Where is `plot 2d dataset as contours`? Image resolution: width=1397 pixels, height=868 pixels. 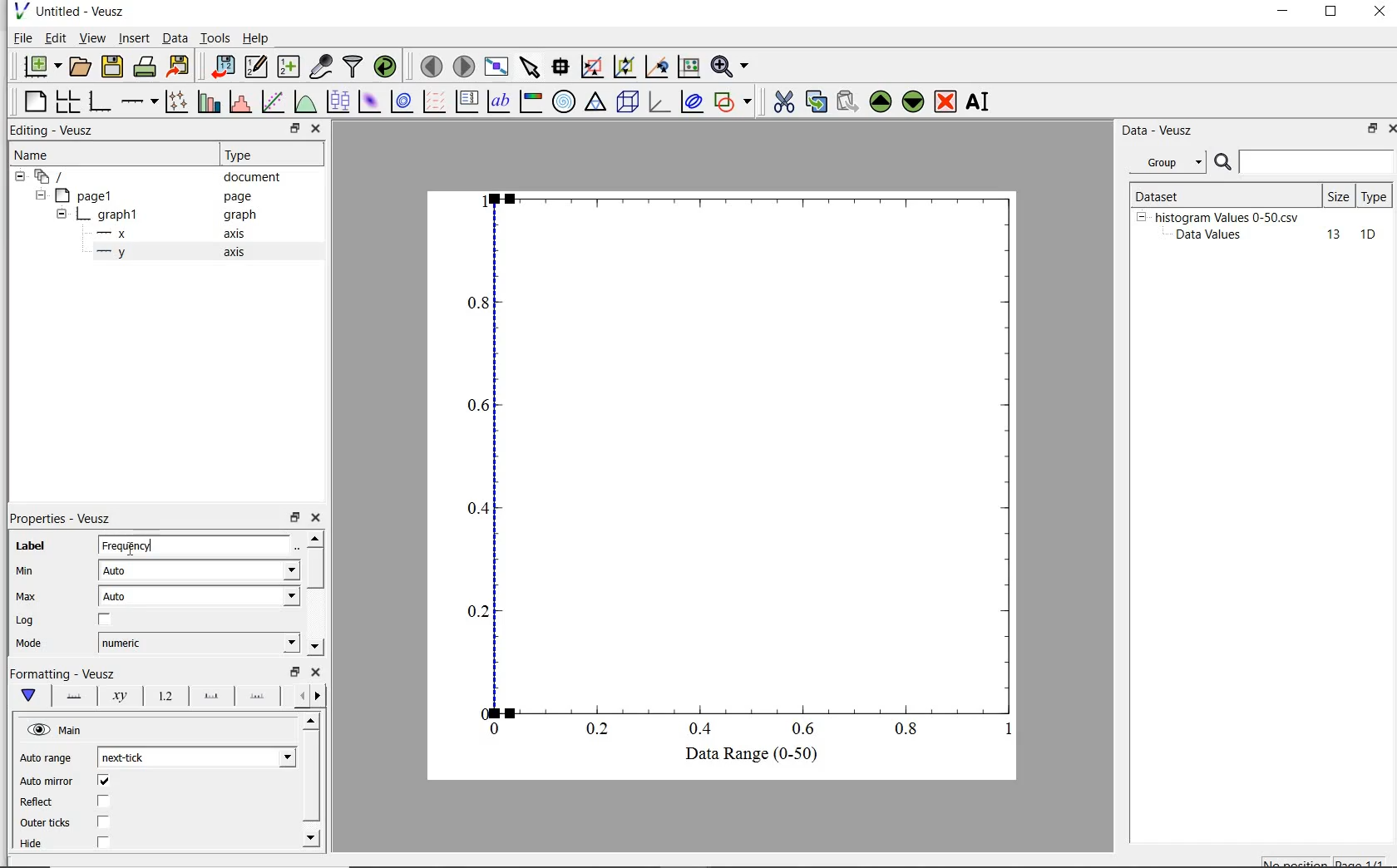 plot 2d dataset as contours is located at coordinates (402, 101).